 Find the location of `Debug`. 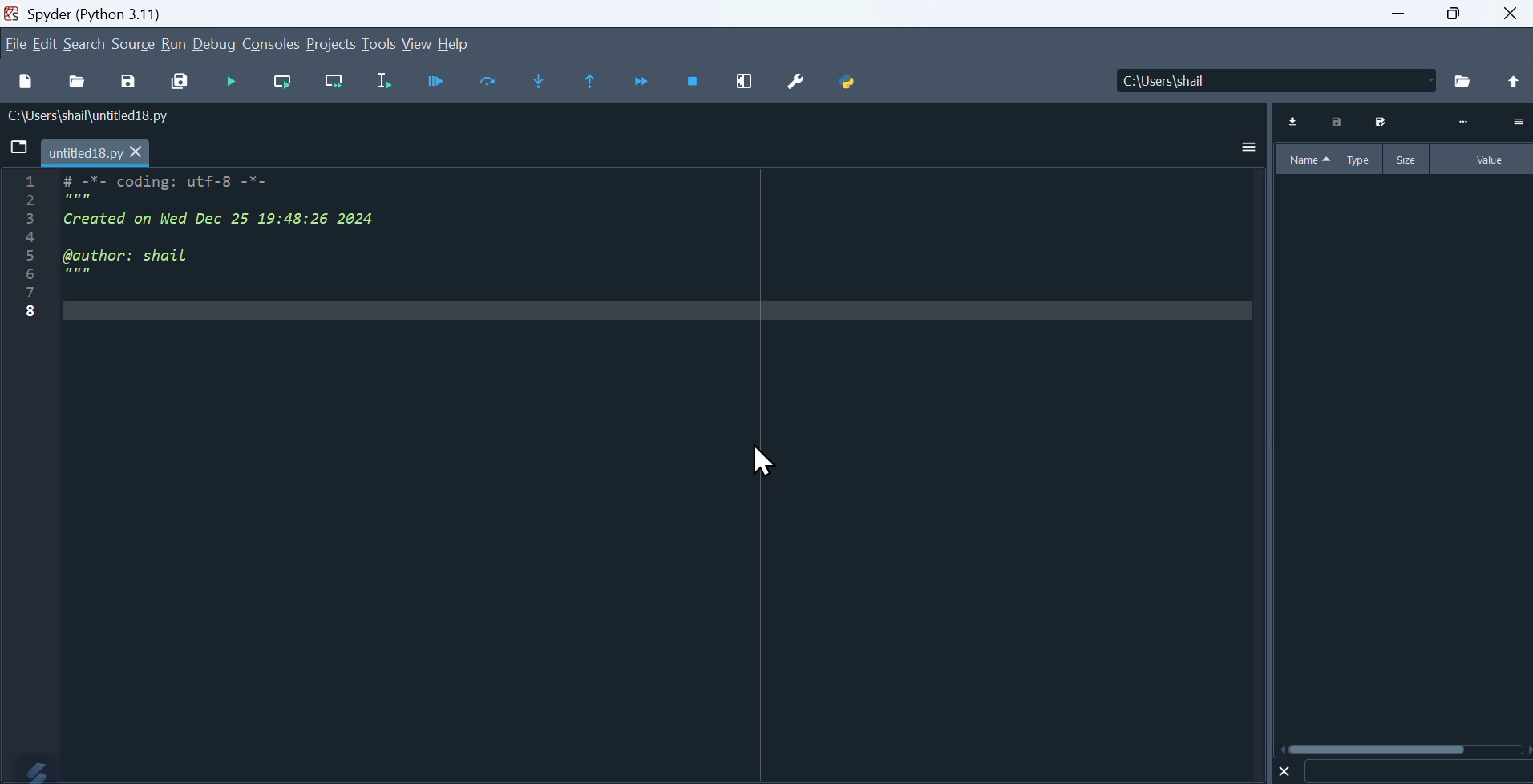

Debug is located at coordinates (215, 43).